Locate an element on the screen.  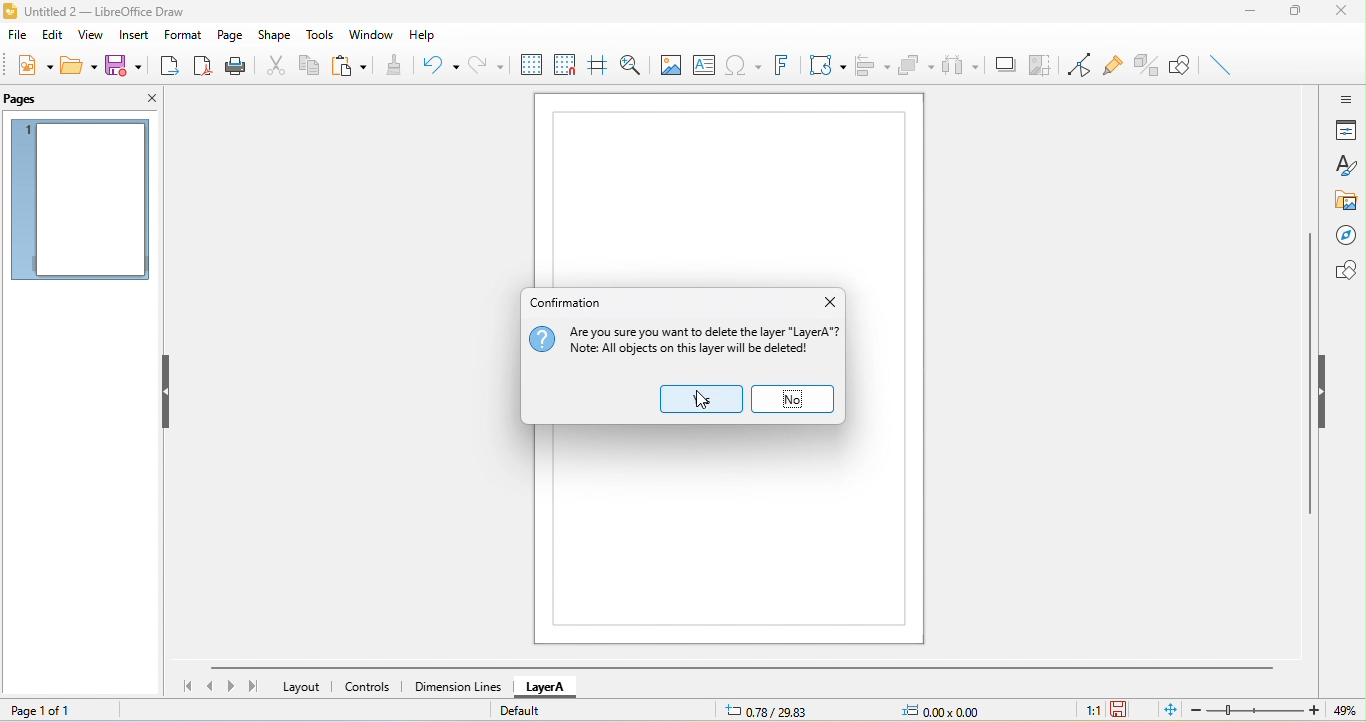
logo is located at coordinates (10, 9).